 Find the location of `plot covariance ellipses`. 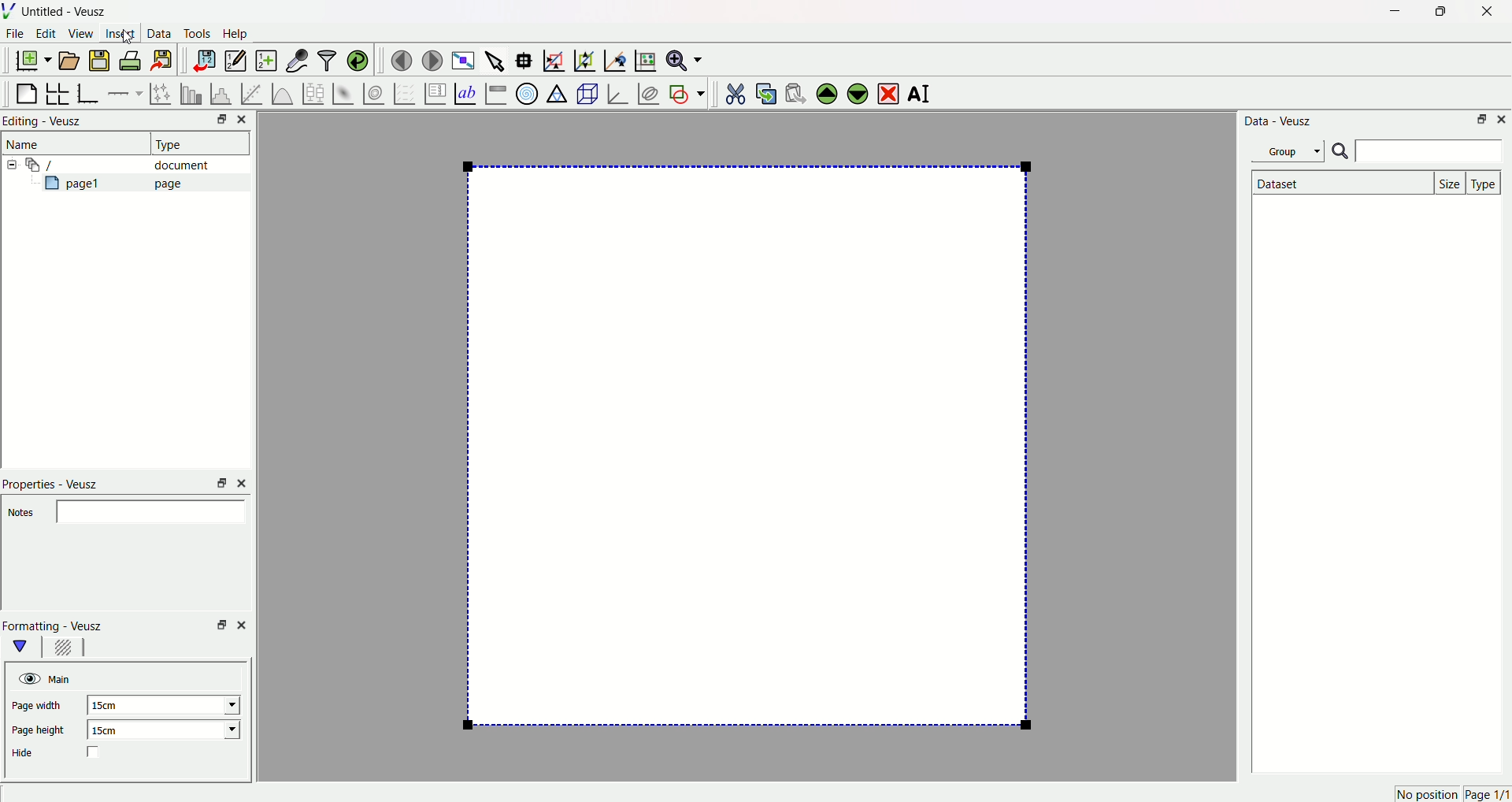

plot covariance ellipses is located at coordinates (647, 91).